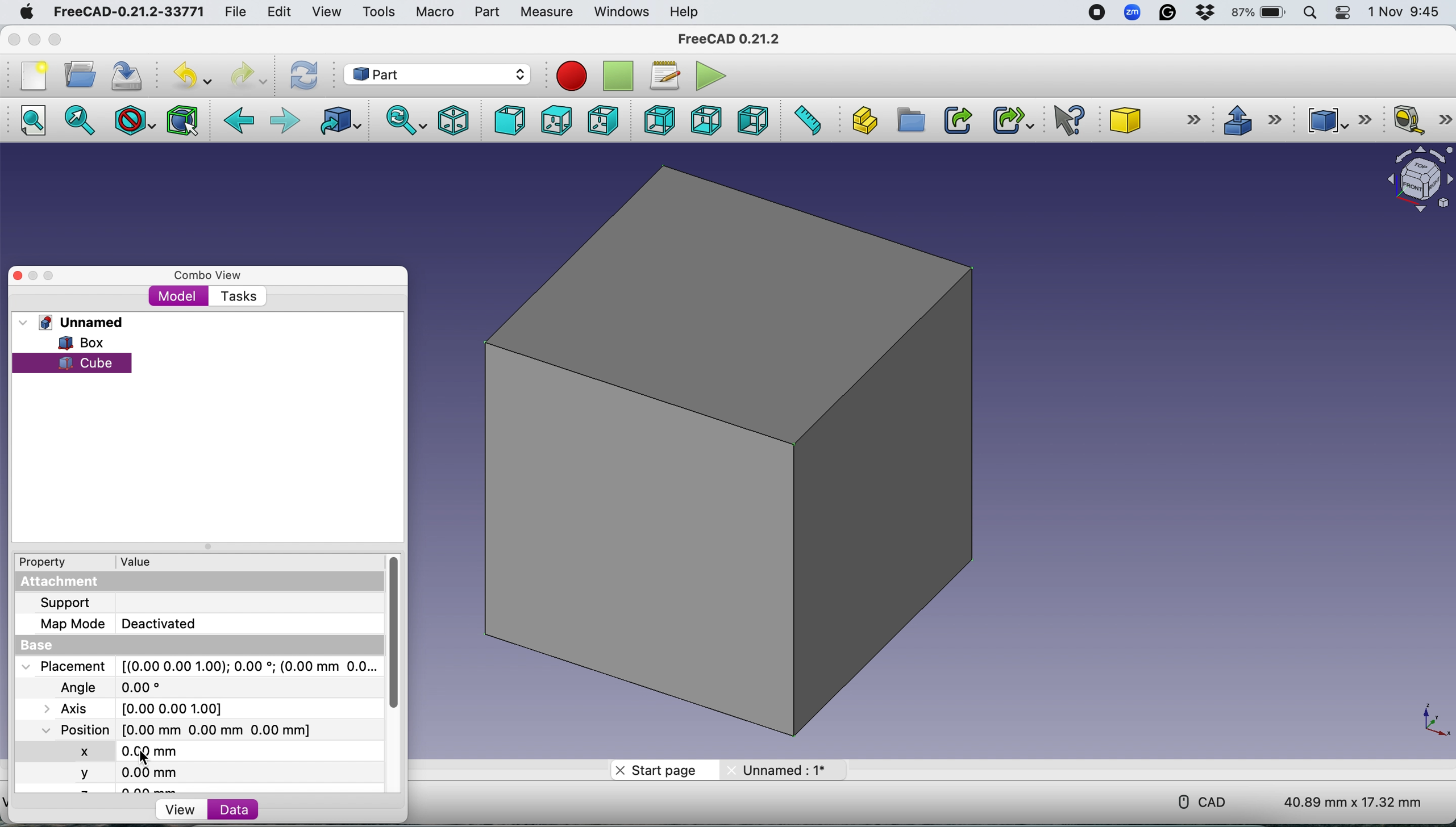  What do you see at coordinates (1197, 800) in the screenshot?
I see `CAD` at bounding box center [1197, 800].